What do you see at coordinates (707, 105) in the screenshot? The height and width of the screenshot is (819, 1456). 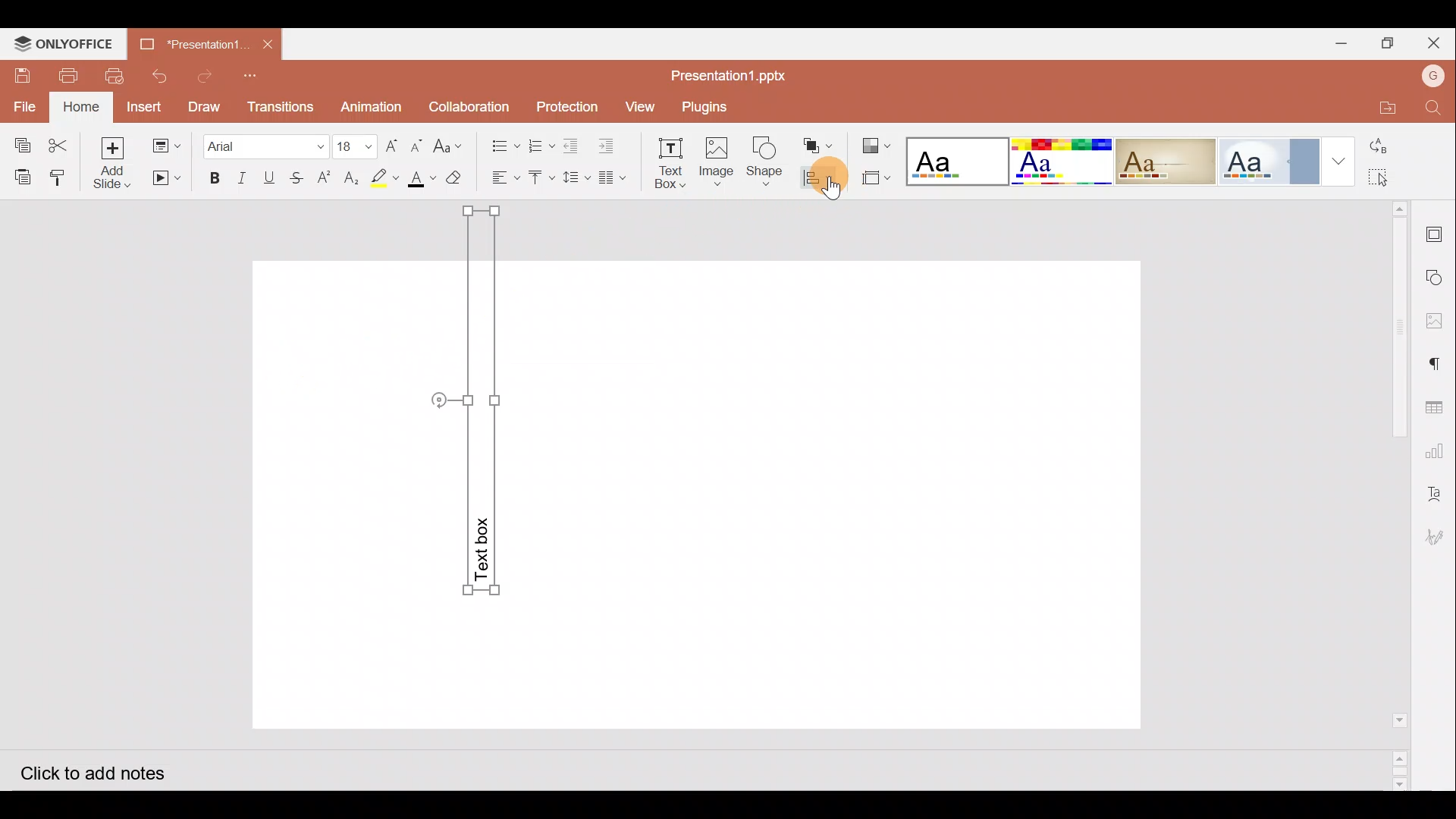 I see `Plugins` at bounding box center [707, 105].